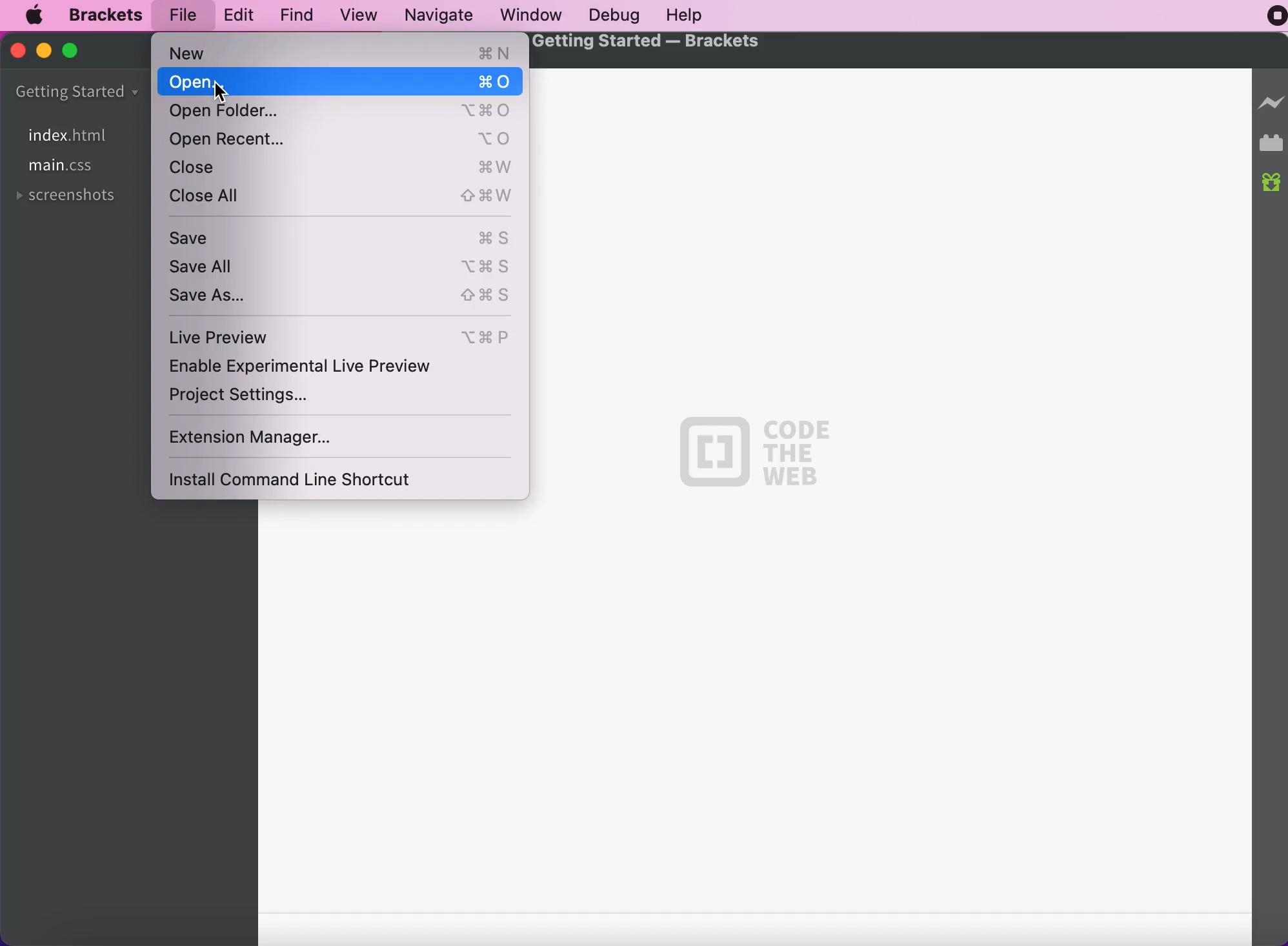 This screenshot has height=946, width=1288. Describe the element at coordinates (341, 112) in the screenshot. I see `open folder` at that location.